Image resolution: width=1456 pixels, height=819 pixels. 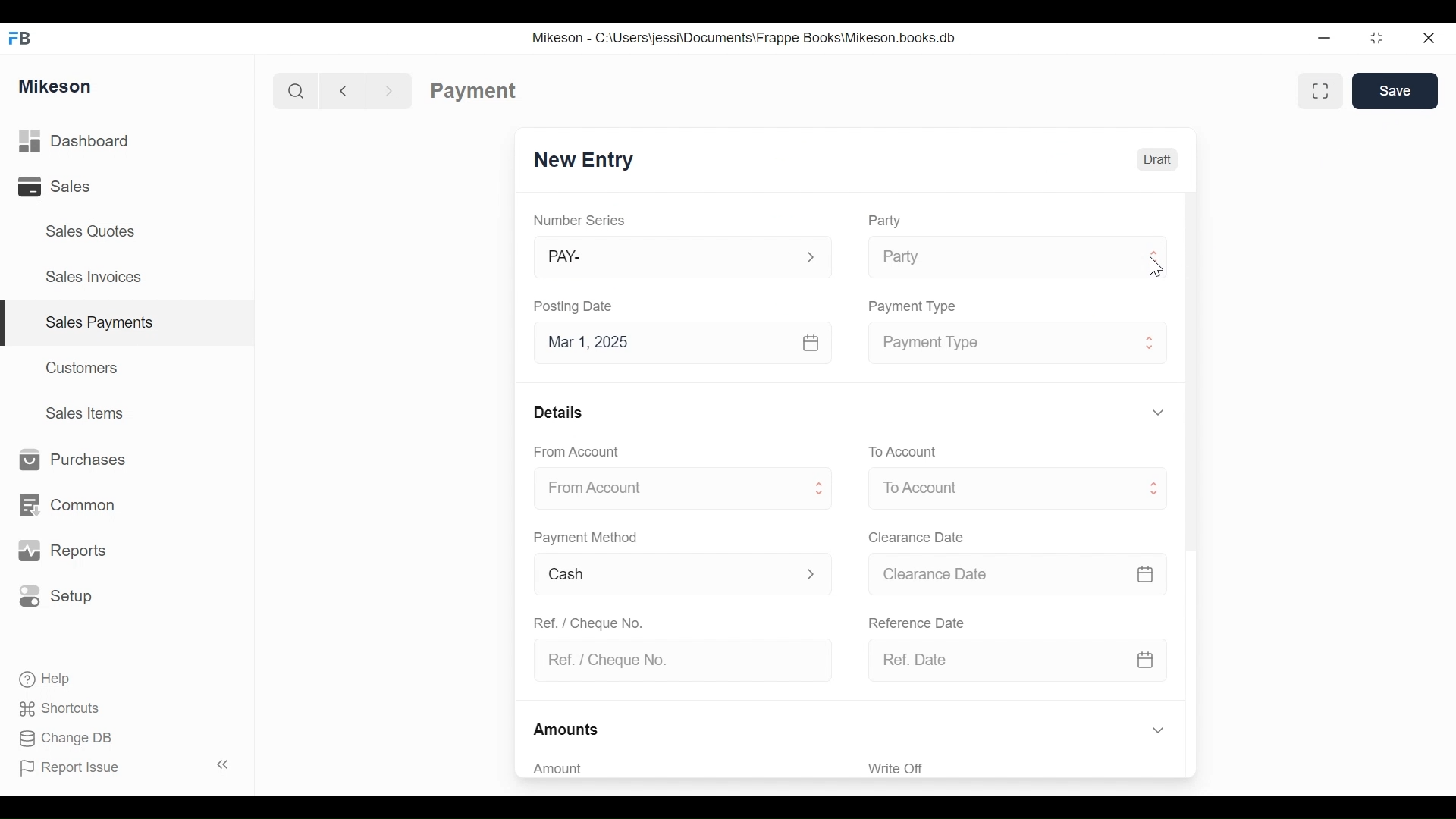 I want to click on Details, so click(x=561, y=413).